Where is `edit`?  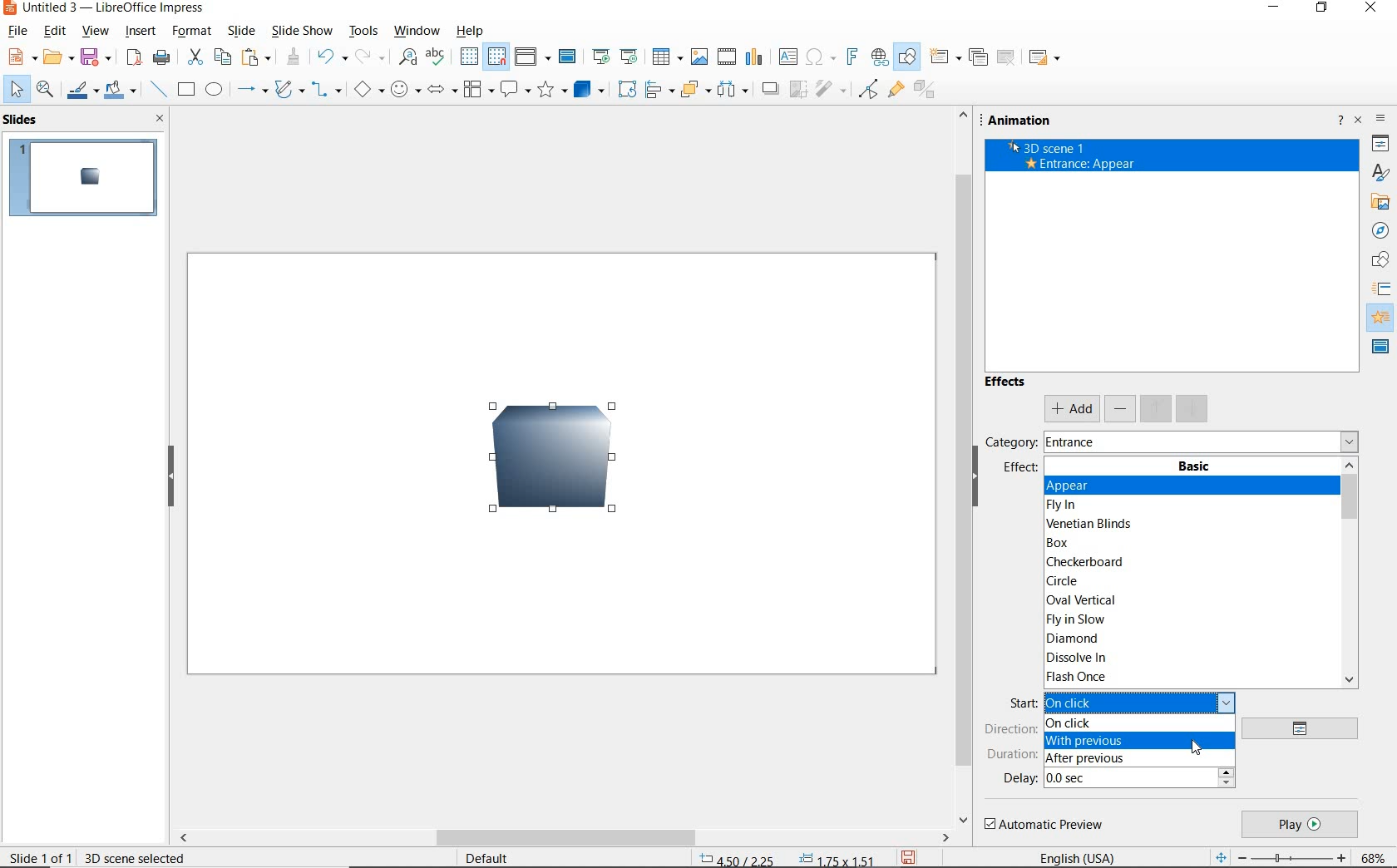
edit is located at coordinates (55, 32).